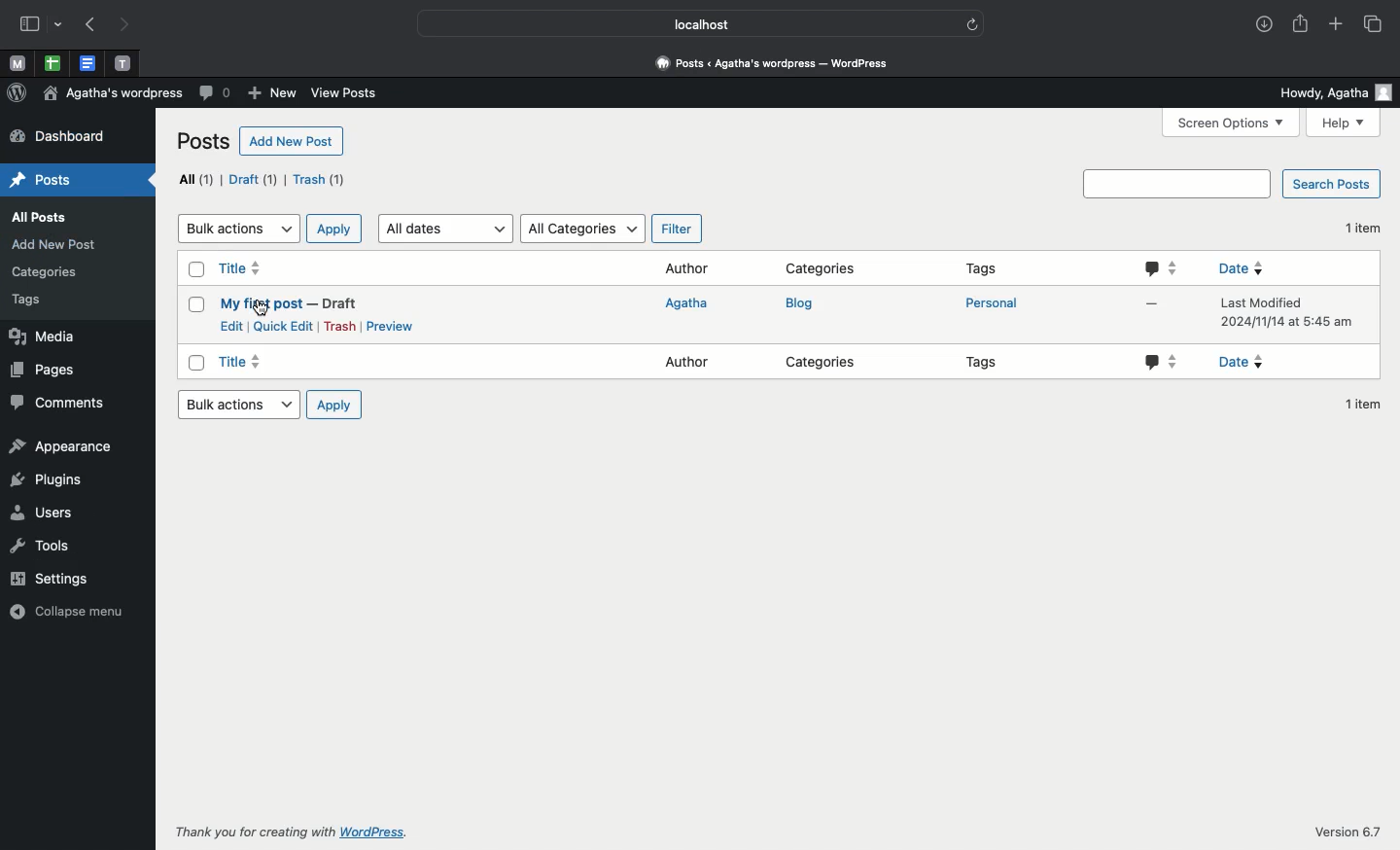  Describe the element at coordinates (60, 22) in the screenshot. I see `drop-down` at that location.